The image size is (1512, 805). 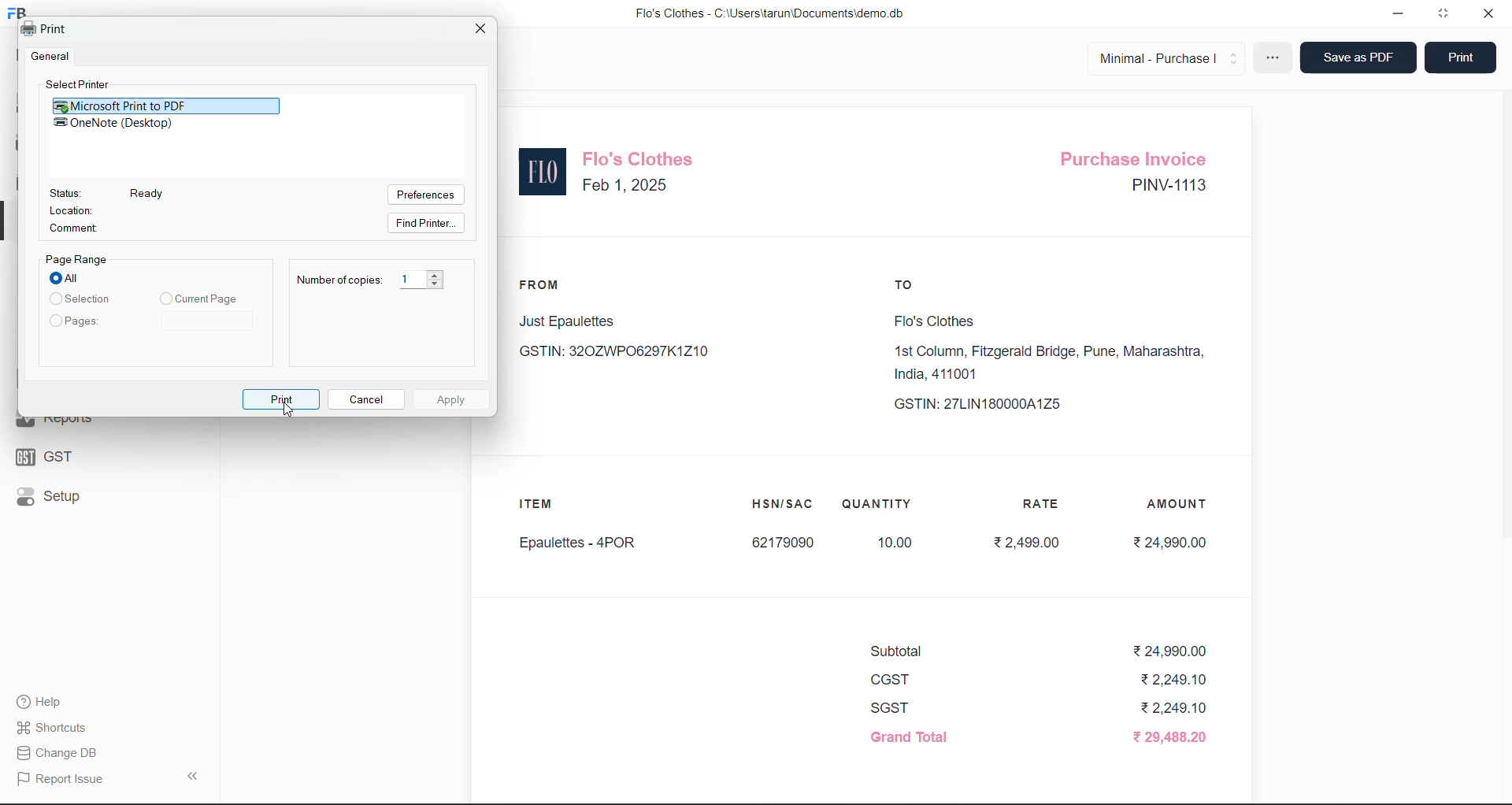 I want to click on Print, so click(x=280, y=401).